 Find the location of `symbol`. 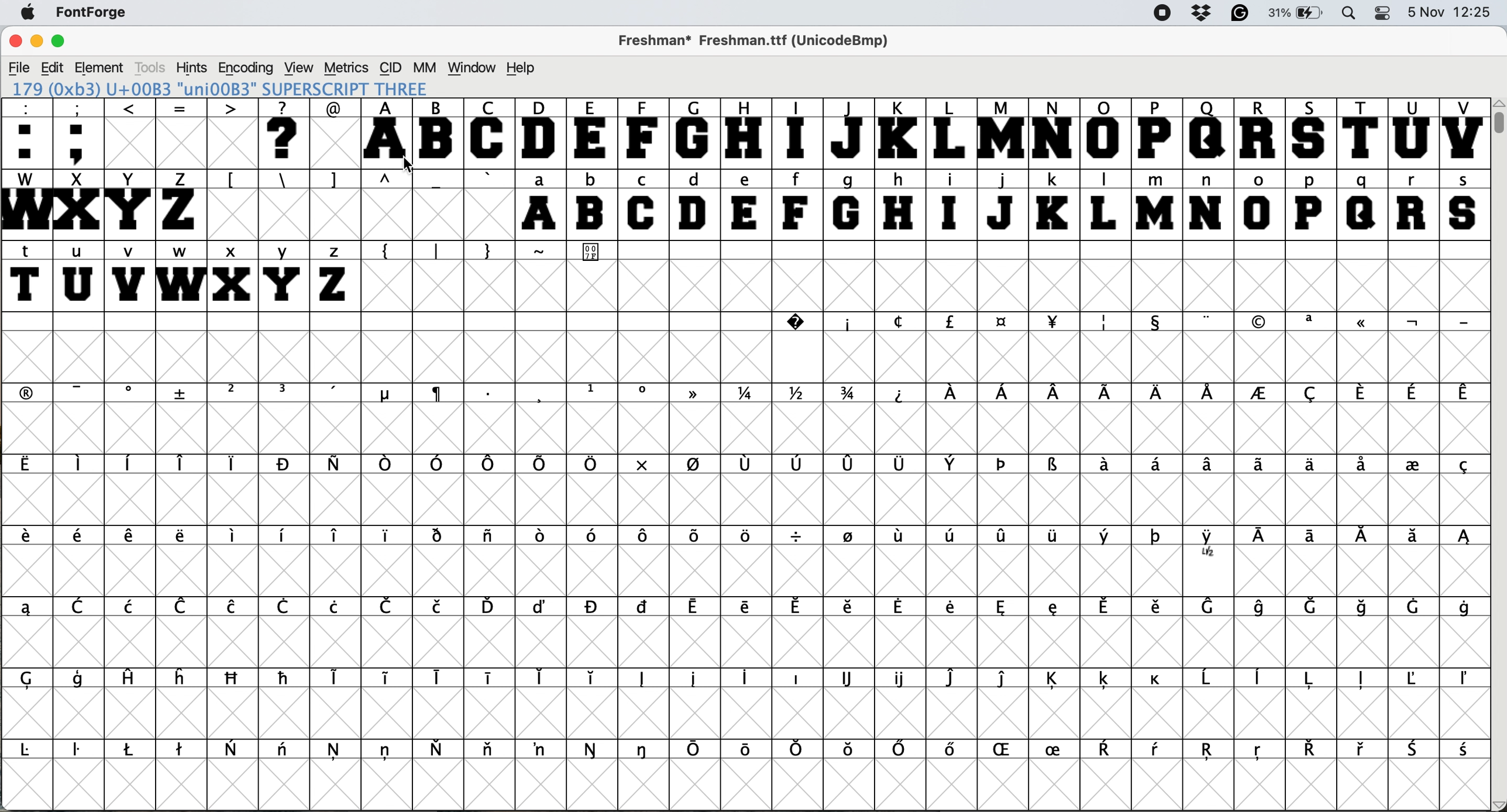

symbol is located at coordinates (1463, 539).